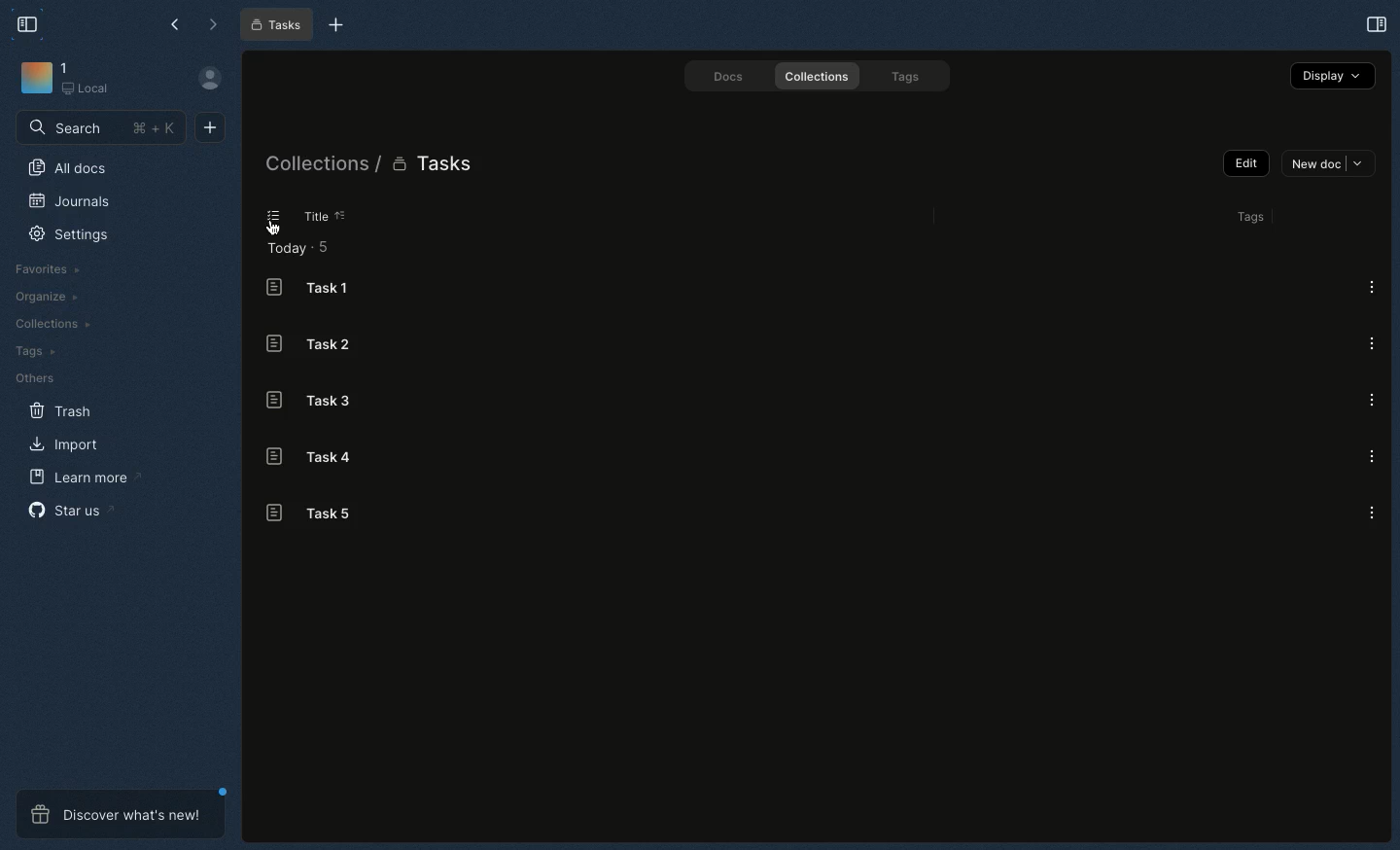 The image size is (1400, 850). What do you see at coordinates (346, 215) in the screenshot?
I see `Sorting` at bounding box center [346, 215].